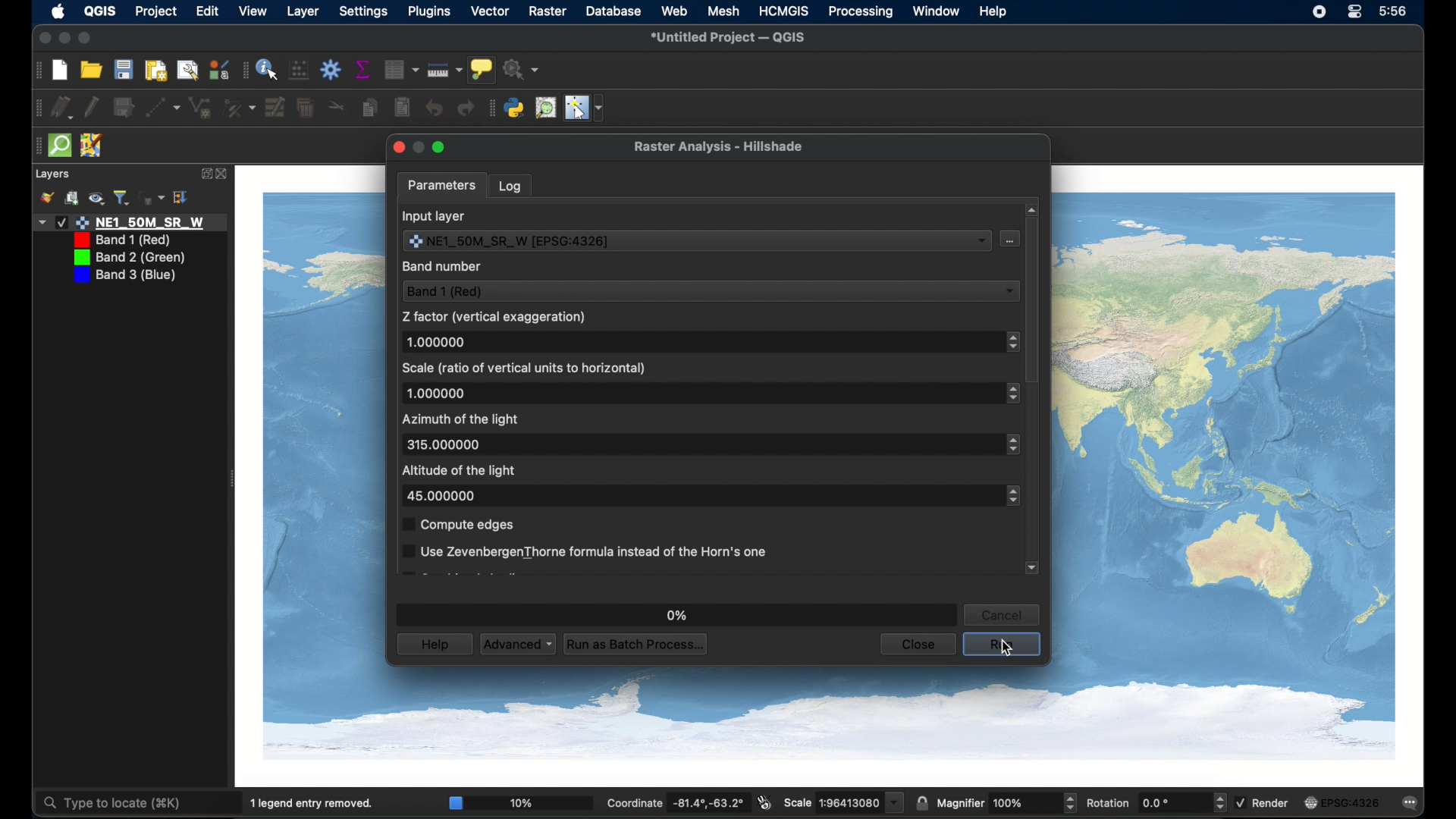  I want to click on undo, so click(434, 108).